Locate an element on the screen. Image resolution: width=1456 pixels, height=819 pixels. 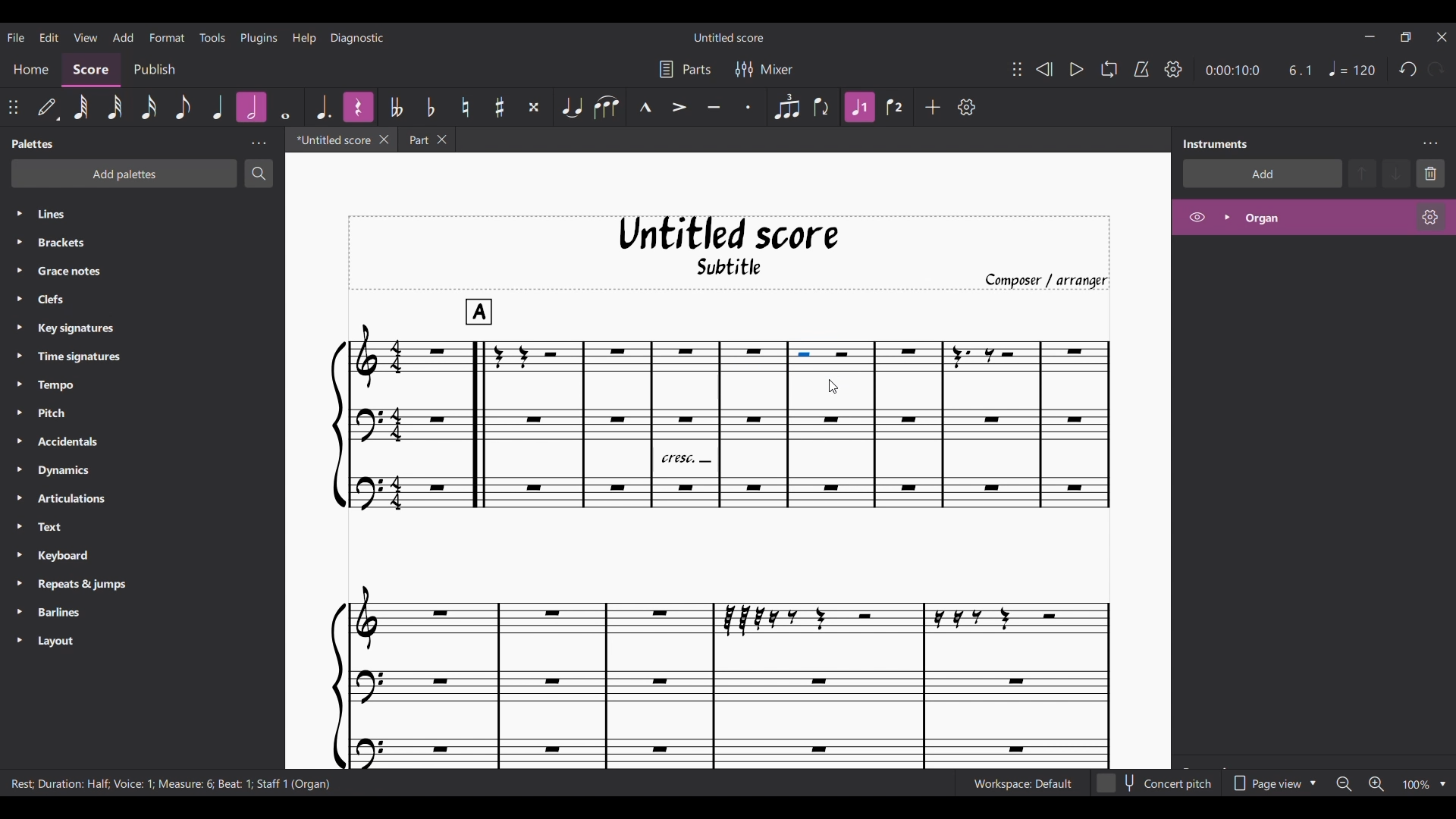
Add is located at coordinates (933, 107).